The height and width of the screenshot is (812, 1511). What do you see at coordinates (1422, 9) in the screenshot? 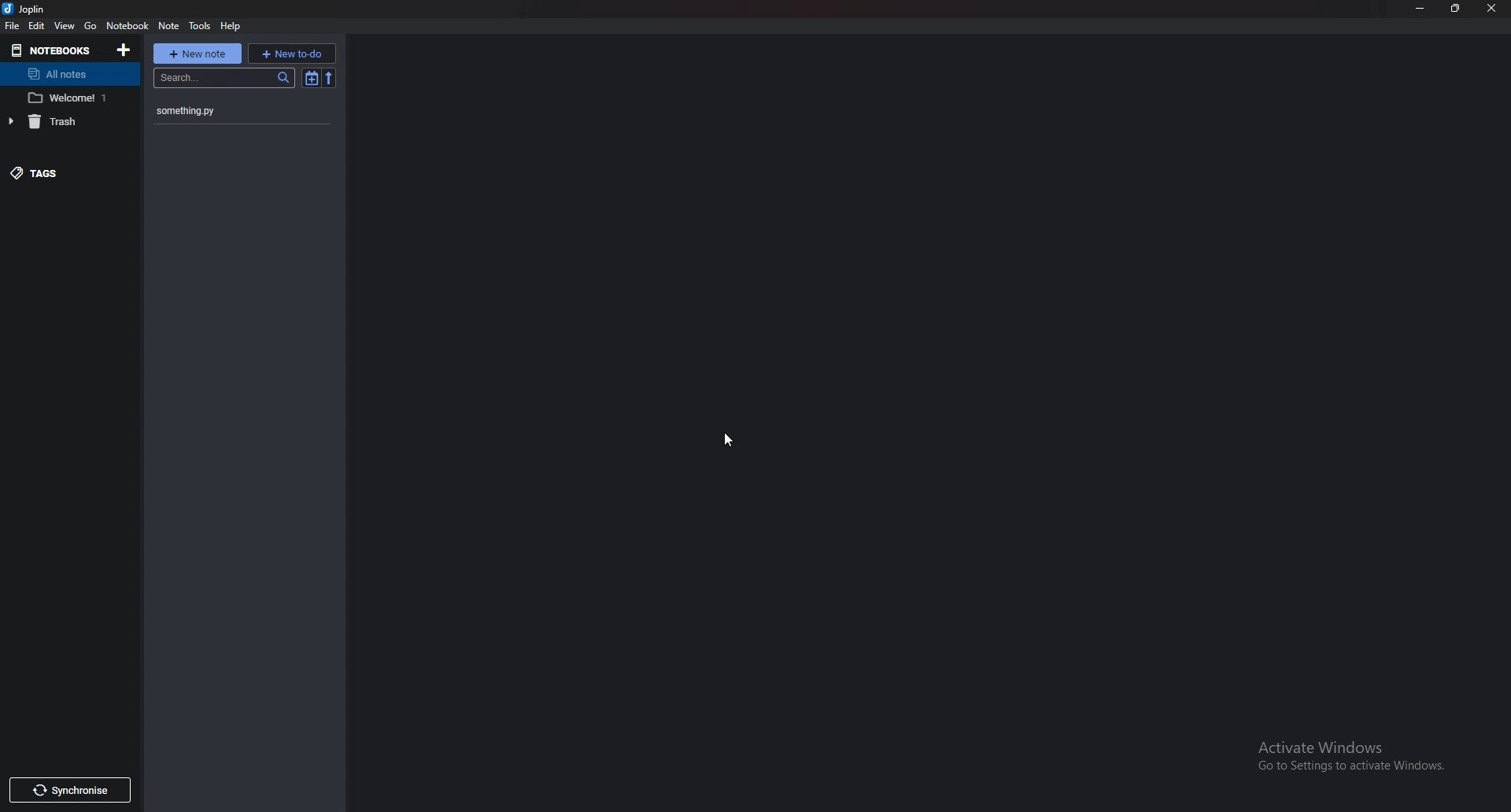
I see `Minimize` at bounding box center [1422, 9].